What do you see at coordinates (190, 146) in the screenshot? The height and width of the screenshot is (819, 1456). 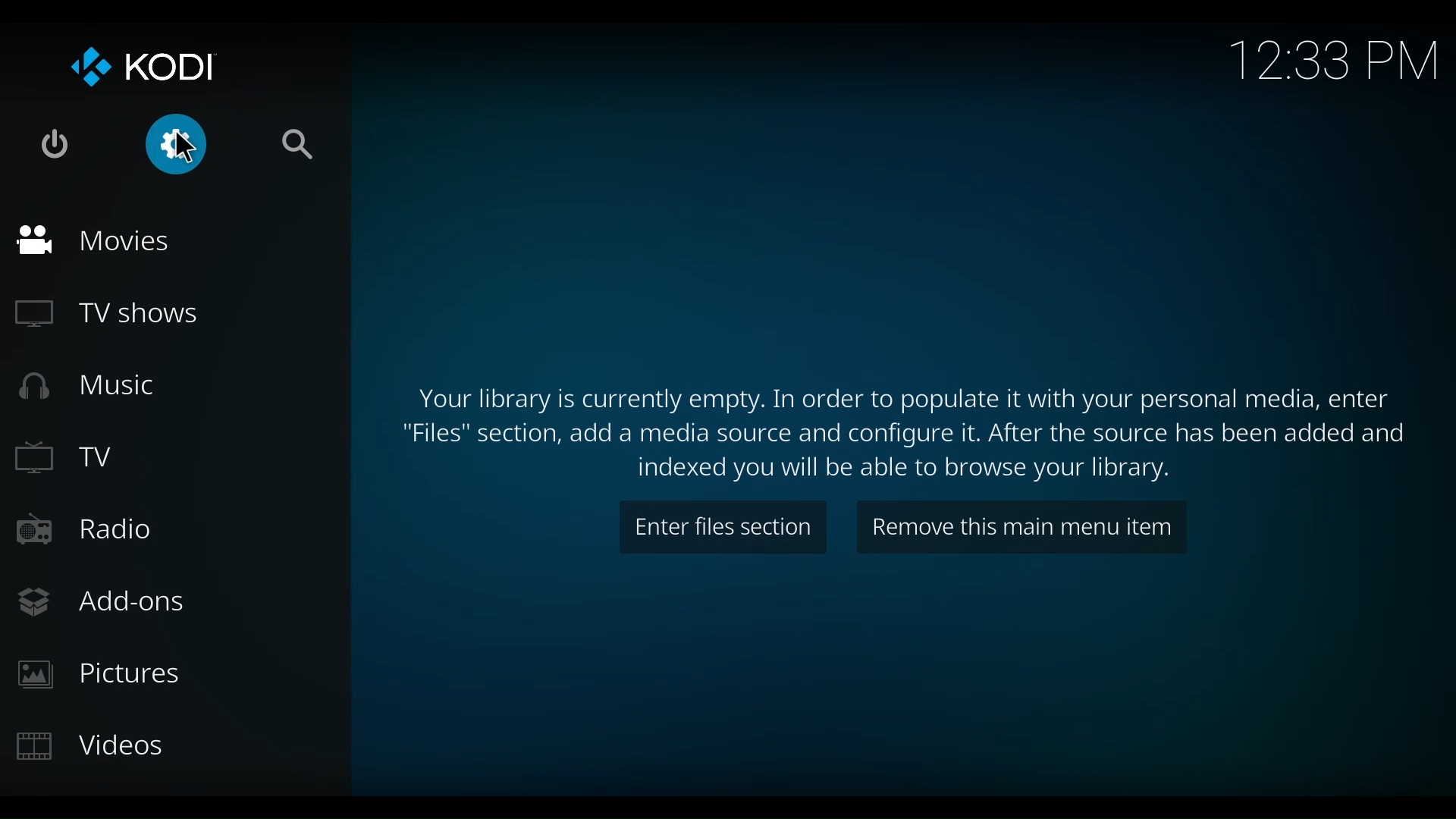 I see `cursor` at bounding box center [190, 146].